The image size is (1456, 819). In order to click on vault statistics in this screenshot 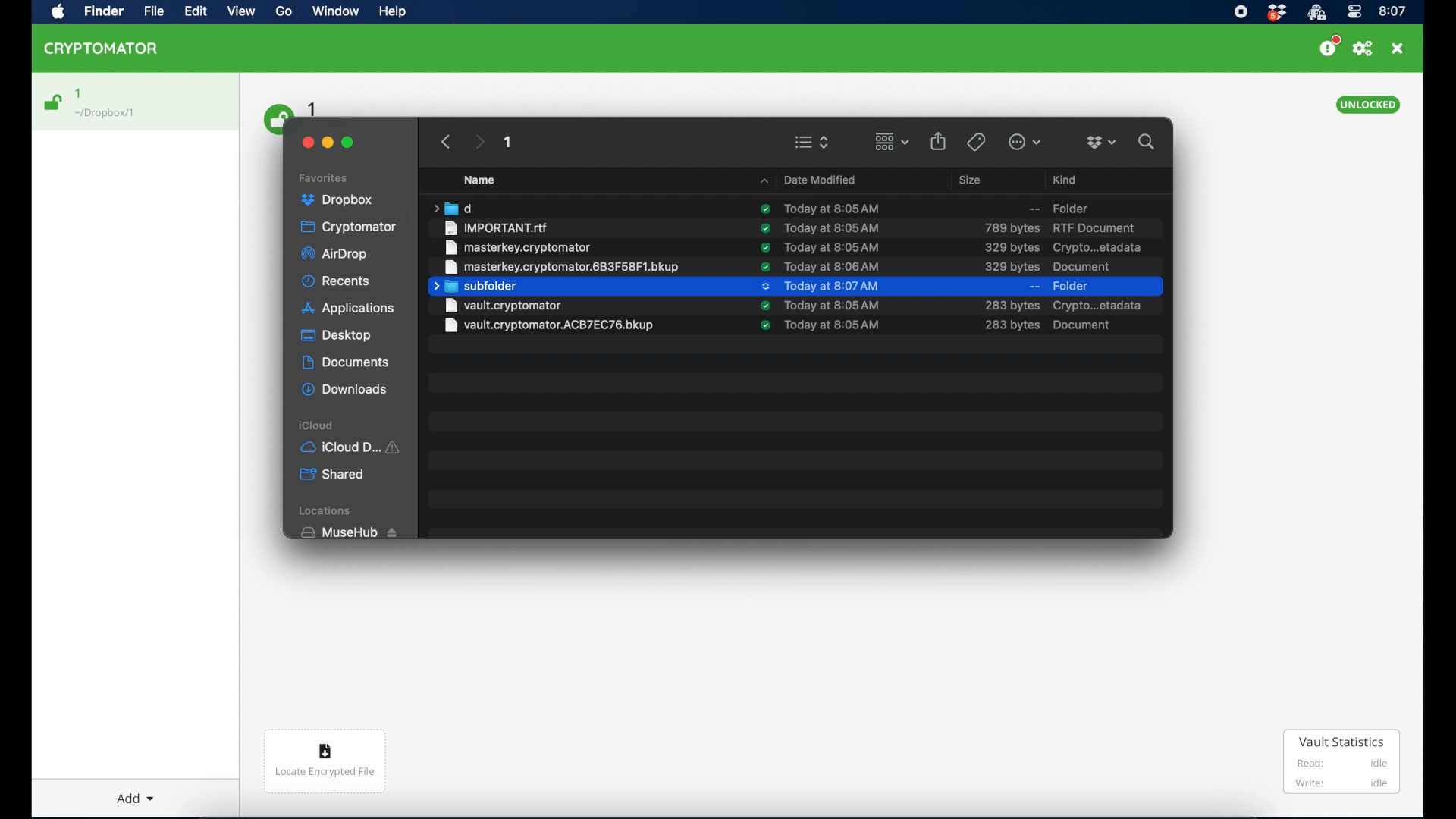, I will do `click(1341, 763)`.